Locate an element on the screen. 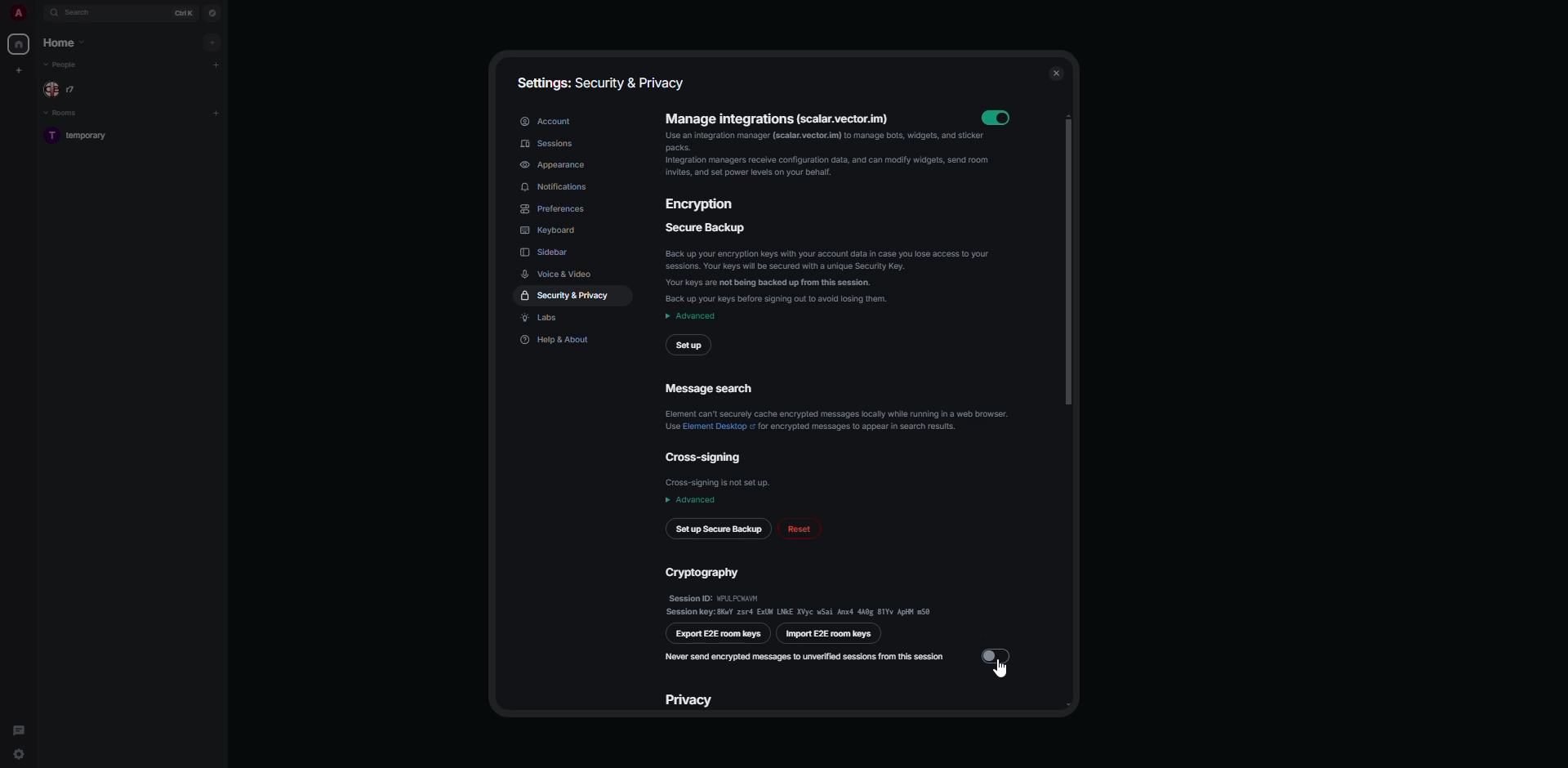  set up secure backup is located at coordinates (719, 530).